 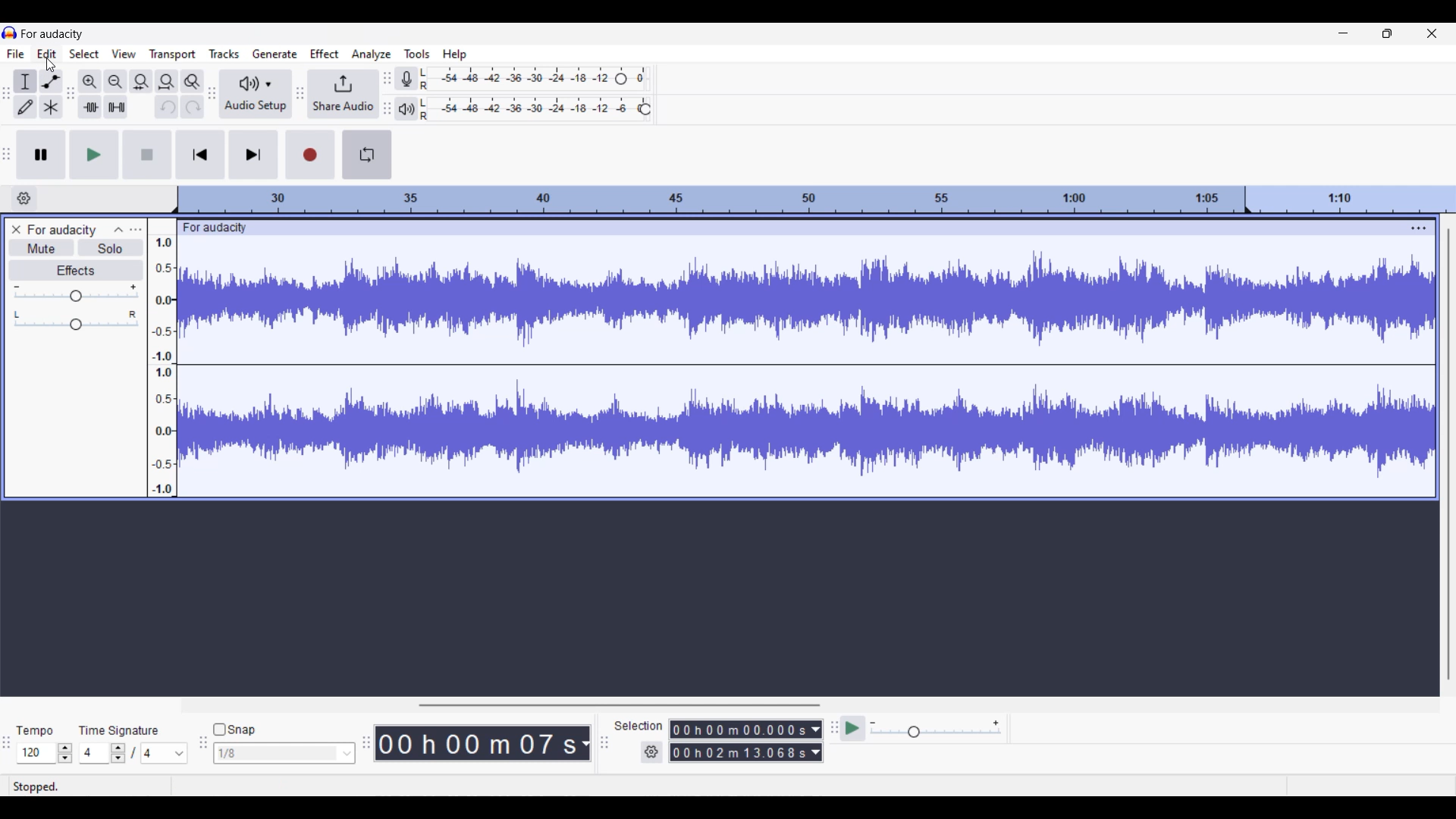 I want to click on 4 /4, so click(x=134, y=753).